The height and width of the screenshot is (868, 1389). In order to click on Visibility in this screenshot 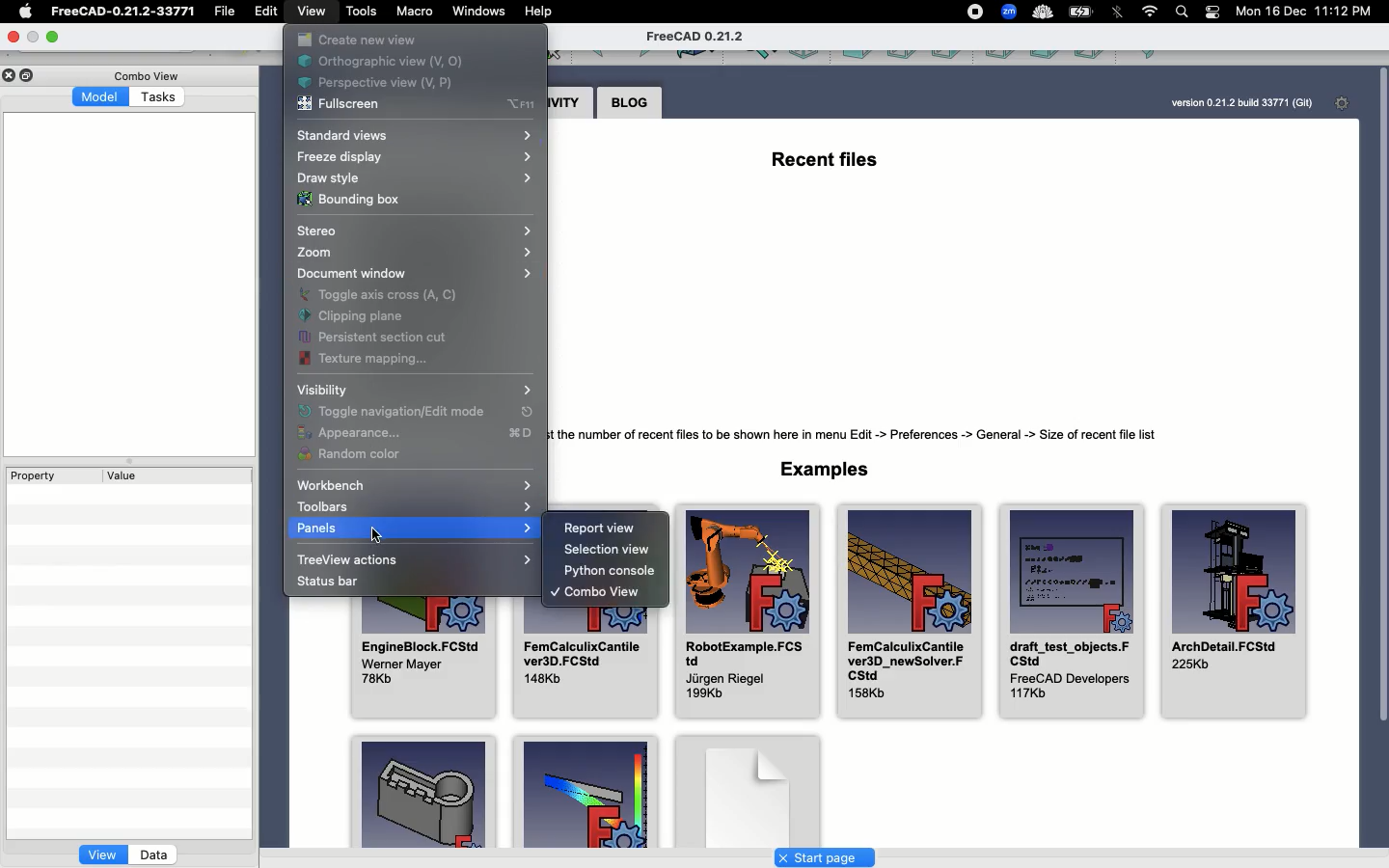, I will do `click(320, 390)`.